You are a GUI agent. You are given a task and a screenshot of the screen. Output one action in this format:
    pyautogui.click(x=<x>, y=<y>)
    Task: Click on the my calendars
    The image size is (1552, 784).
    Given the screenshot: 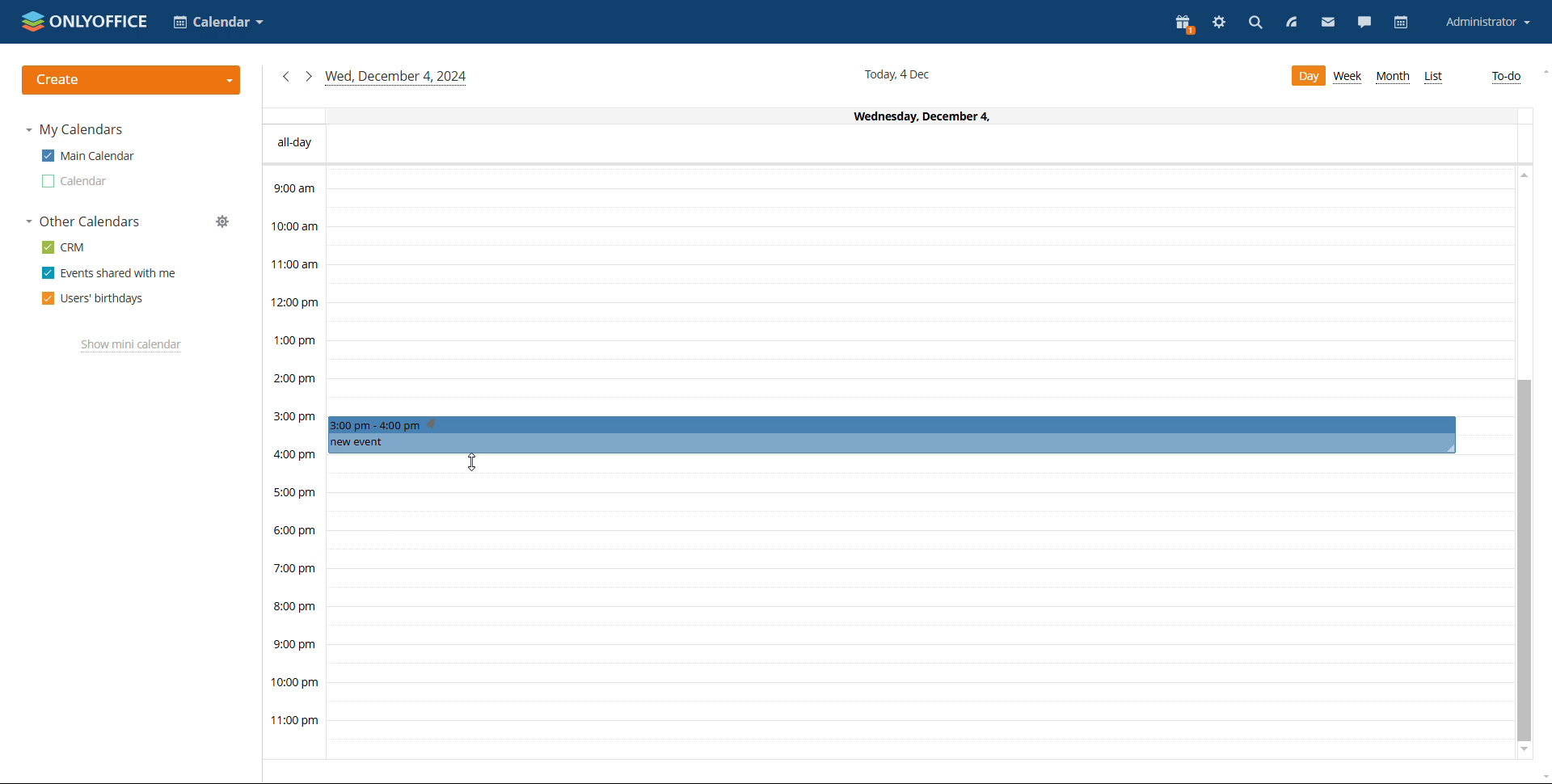 What is the action you would take?
    pyautogui.click(x=74, y=129)
    